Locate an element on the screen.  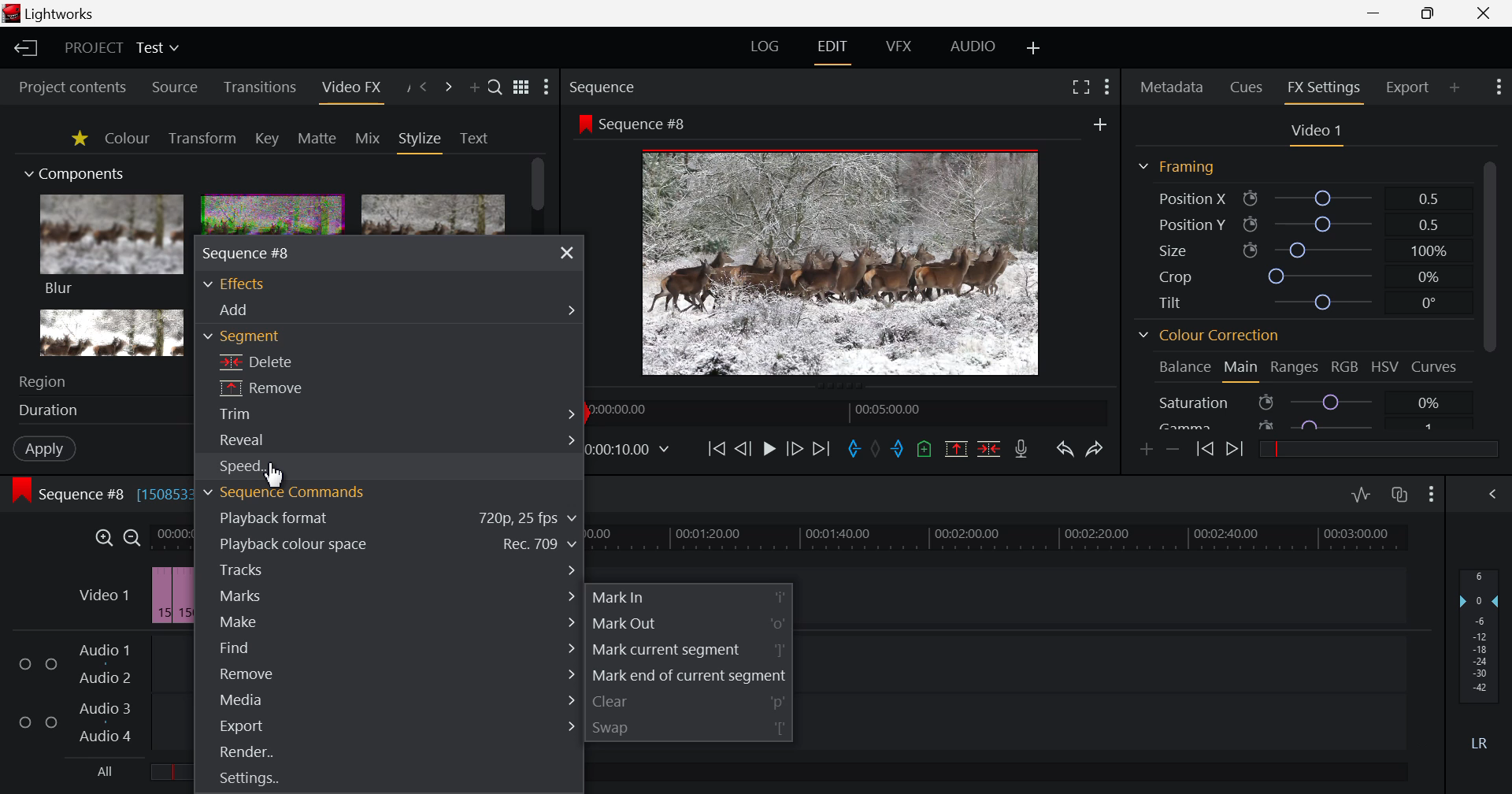
RGB is located at coordinates (1346, 366).